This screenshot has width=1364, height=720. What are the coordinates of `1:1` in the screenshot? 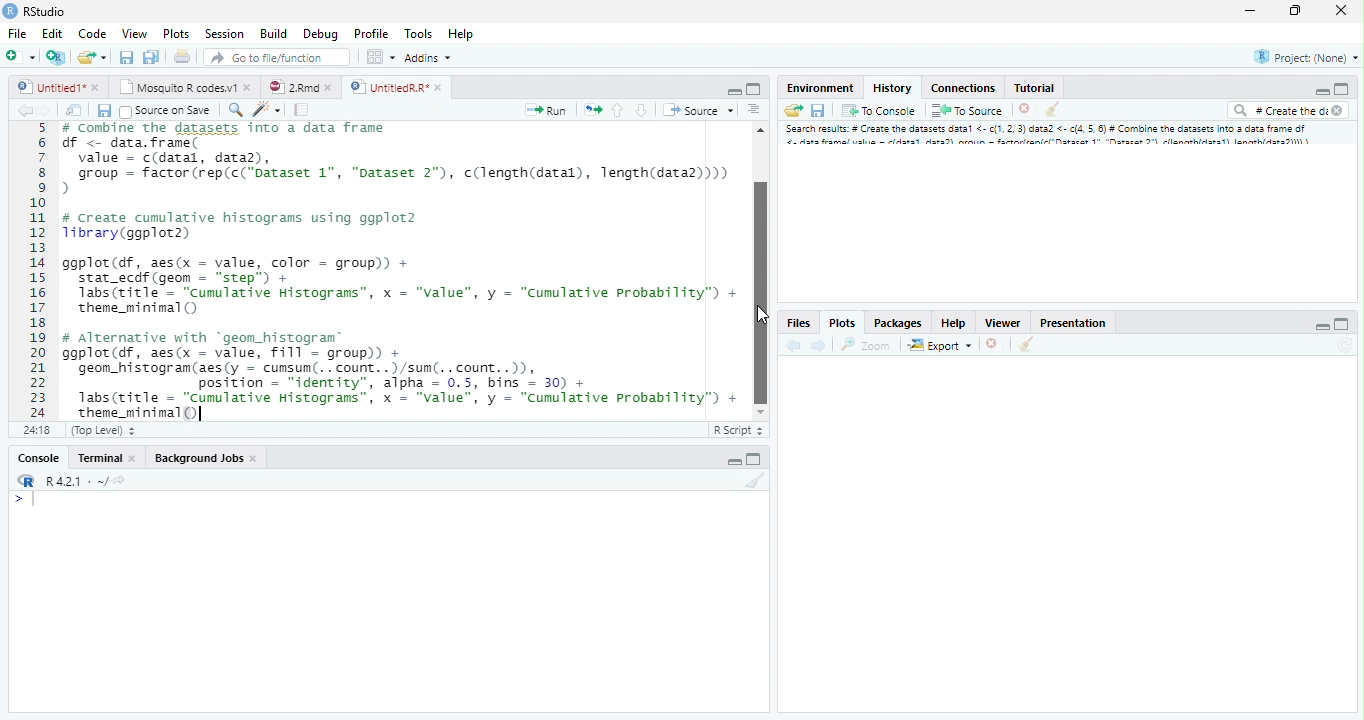 It's located at (41, 428).